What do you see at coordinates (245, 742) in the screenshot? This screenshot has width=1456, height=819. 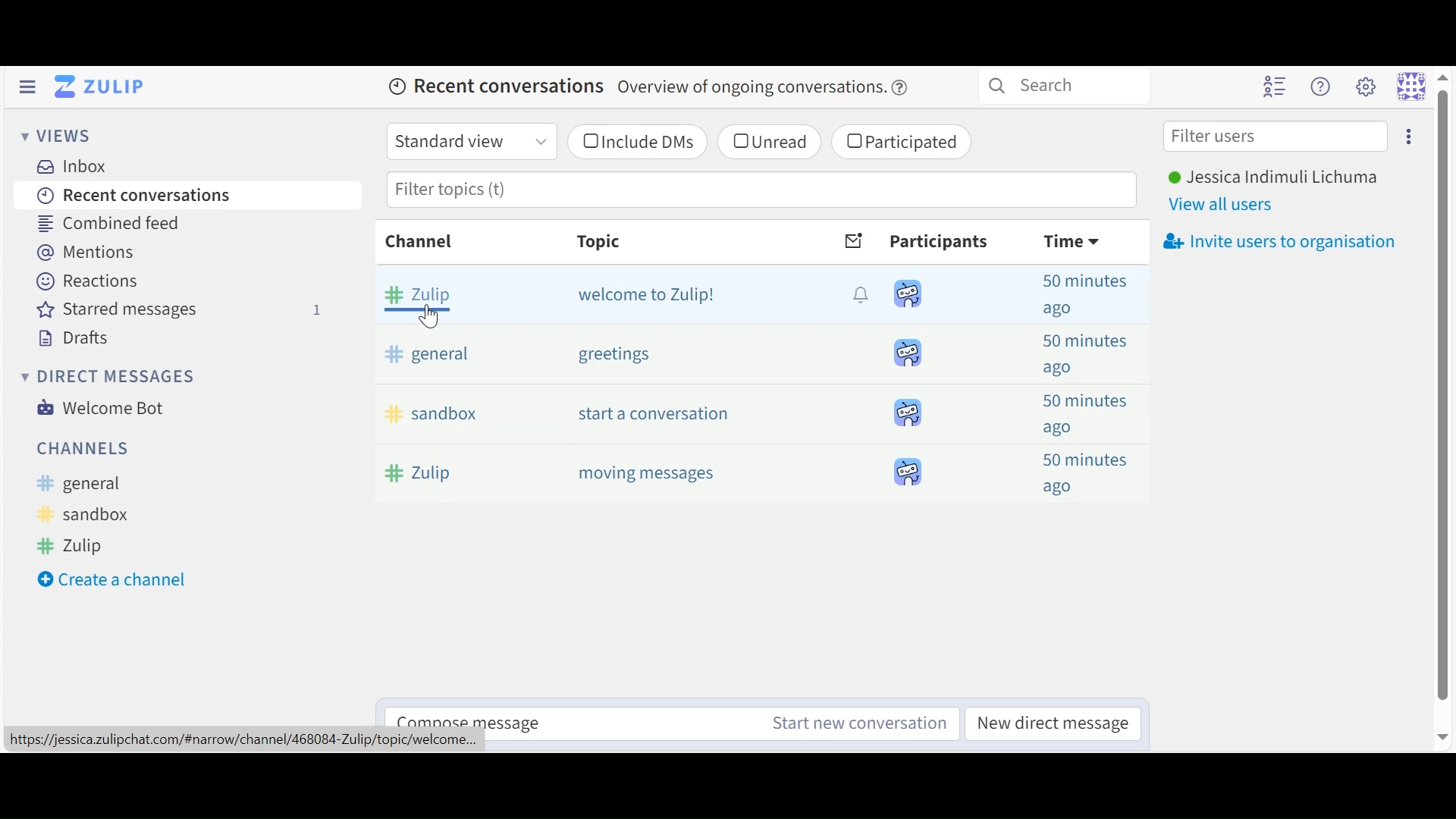 I see `personal url` at bounding box center [245, 742].